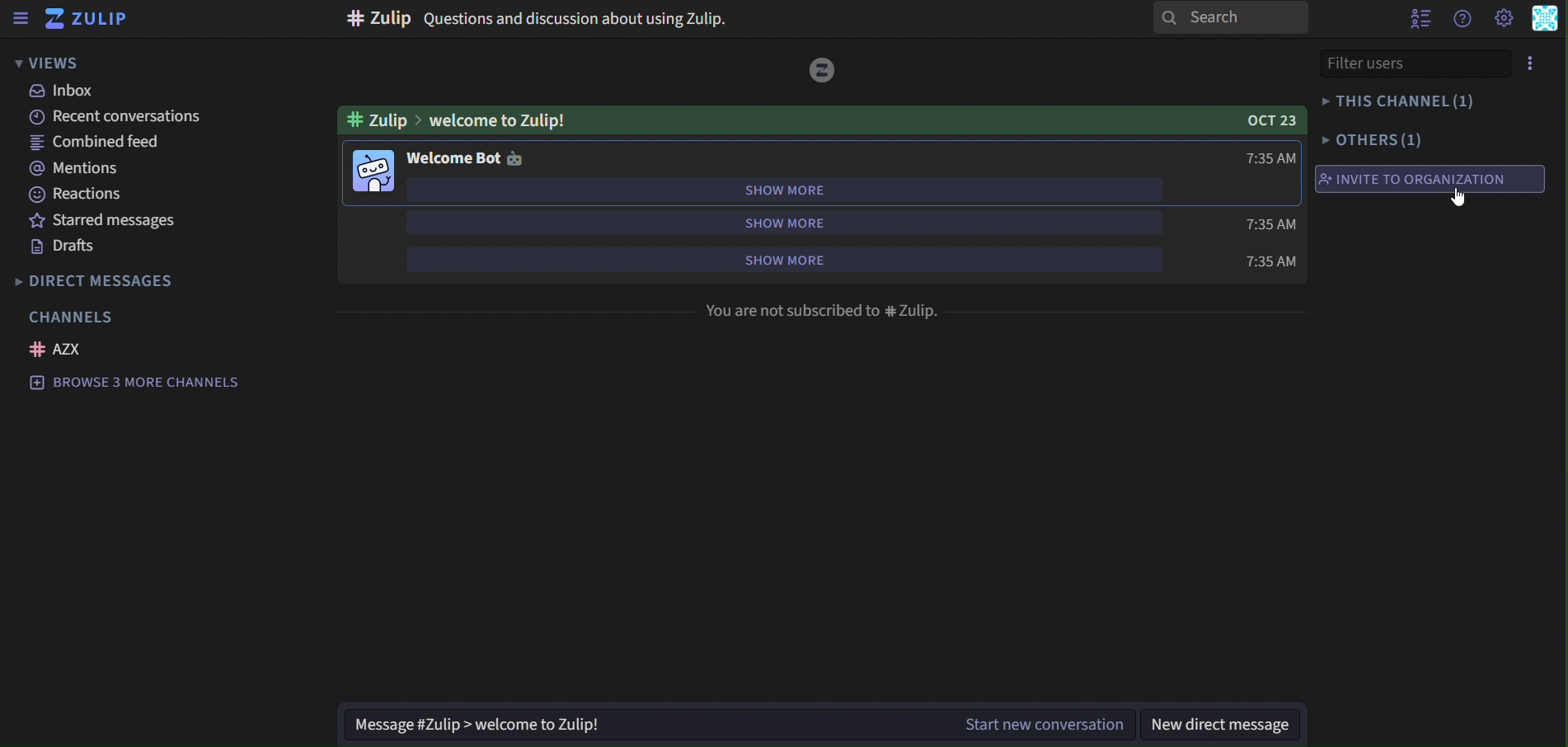 The width and height of the screenshot is (1568, 747). I want to click on AZX, so click(61, 350).